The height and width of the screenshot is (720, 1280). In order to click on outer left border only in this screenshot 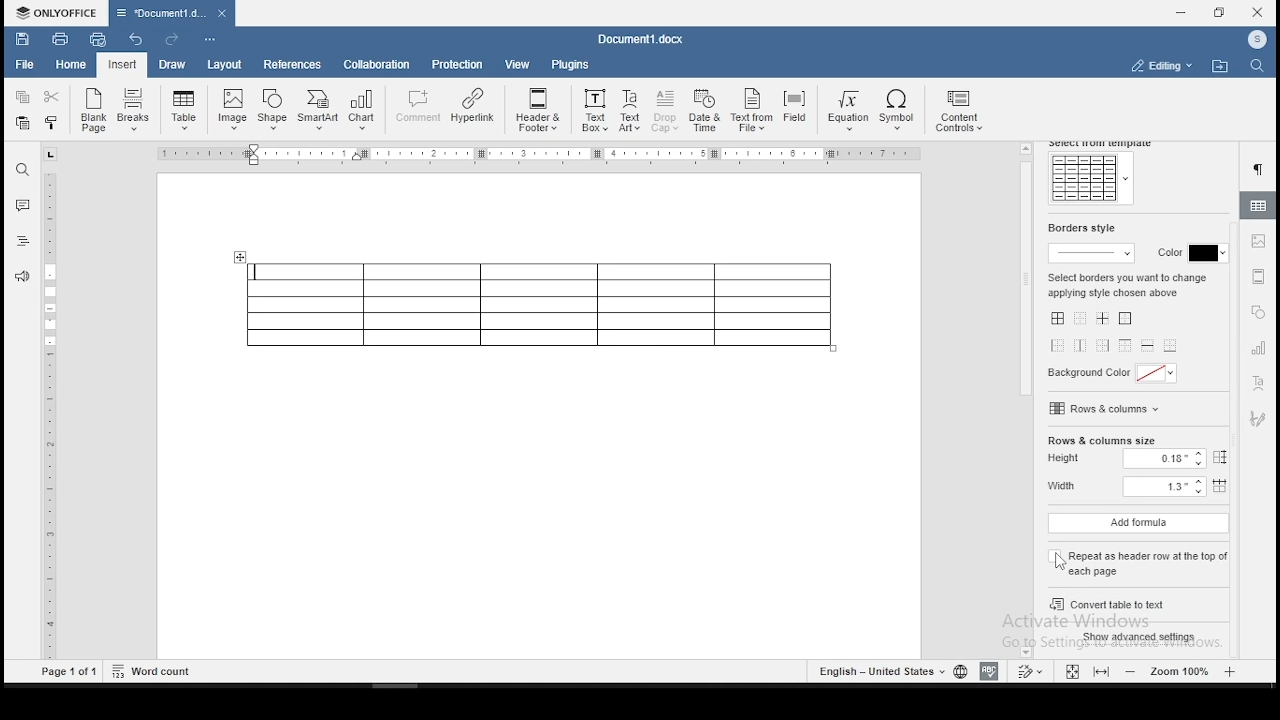, I will do `click(1059, 348)`.